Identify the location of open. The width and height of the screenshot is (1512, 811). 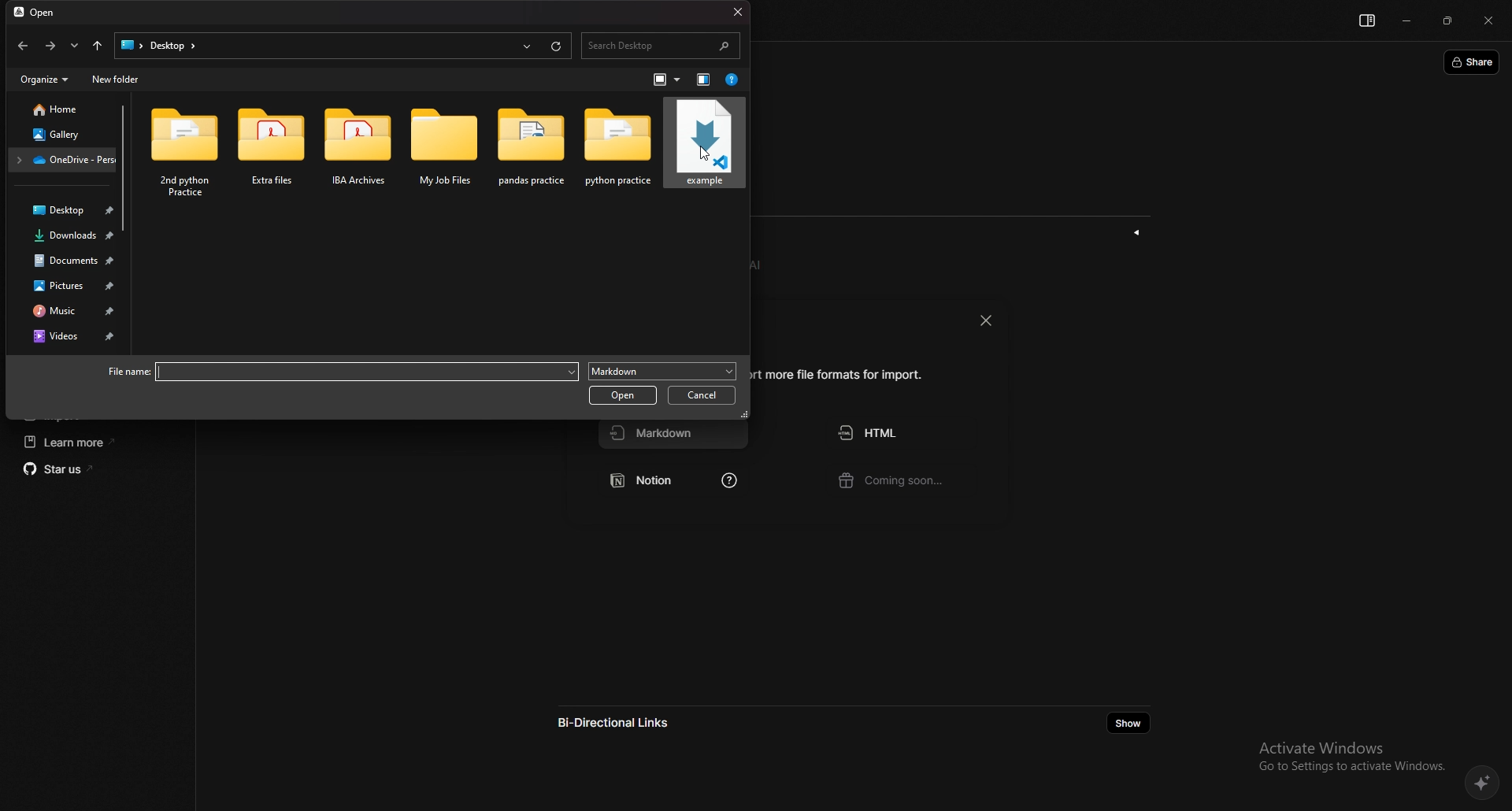
(622, 395).